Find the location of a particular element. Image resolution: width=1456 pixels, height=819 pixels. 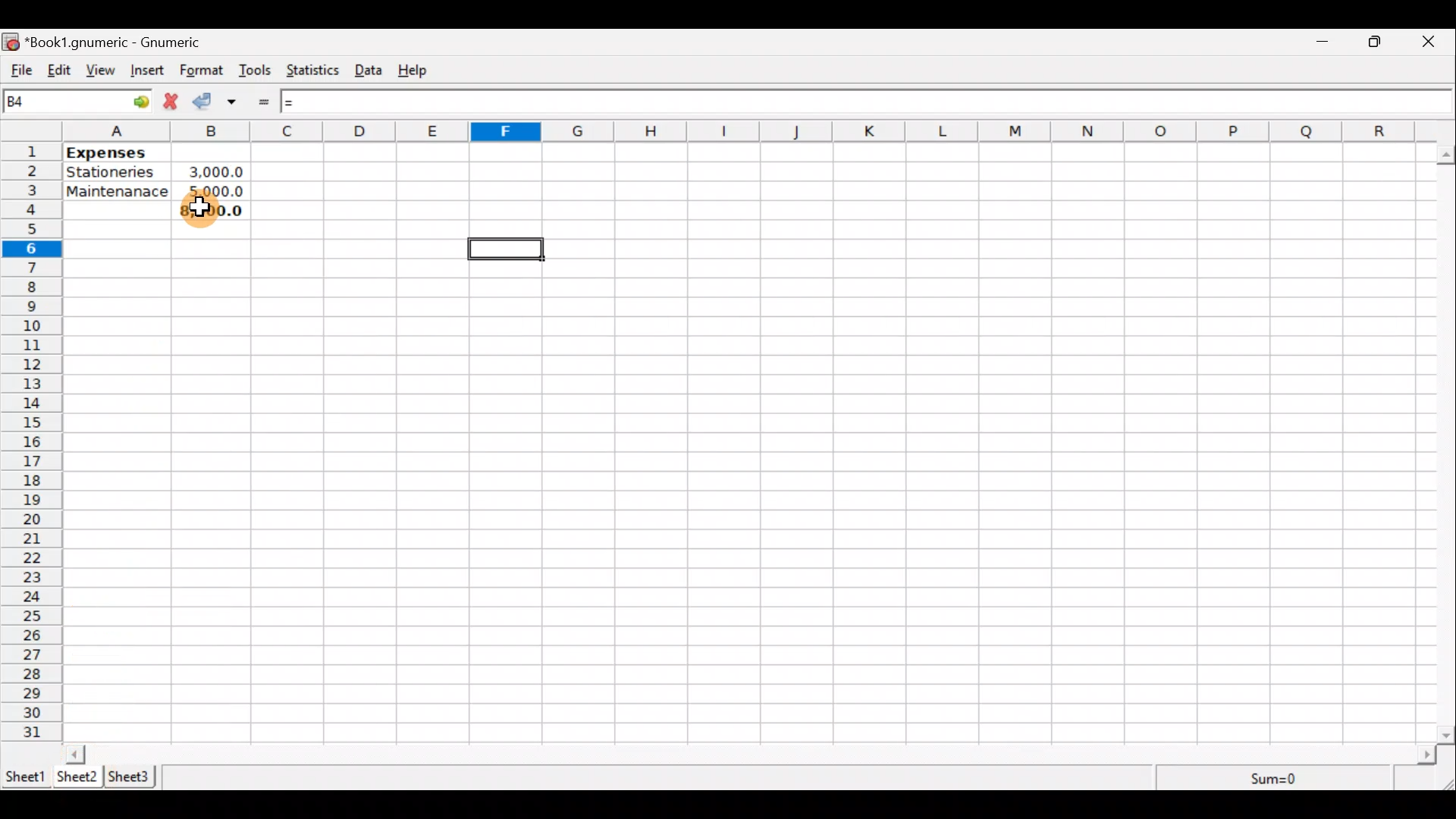

Maximize/Minimize is located at coordinates (1379, 42).